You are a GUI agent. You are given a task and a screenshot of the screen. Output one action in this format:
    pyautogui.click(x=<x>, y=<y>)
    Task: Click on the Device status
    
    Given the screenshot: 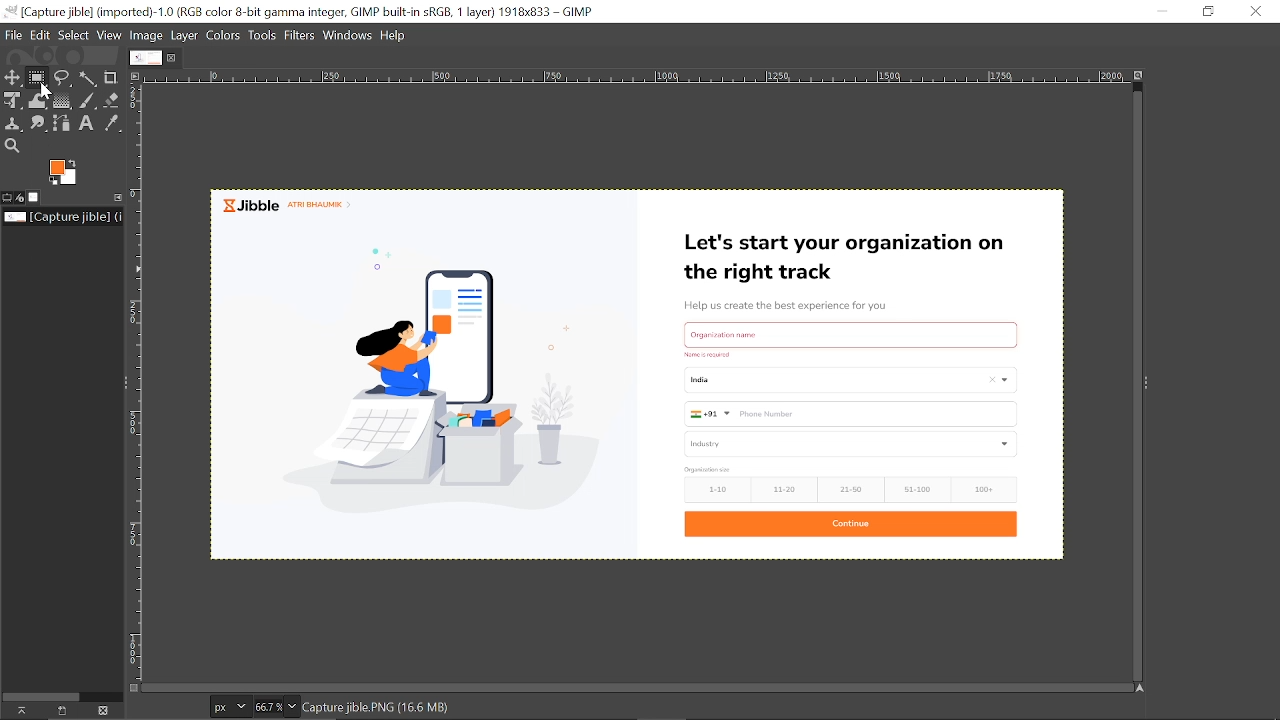 What is the action you would take?
    pyautogui.click(x=21, y=197)
    